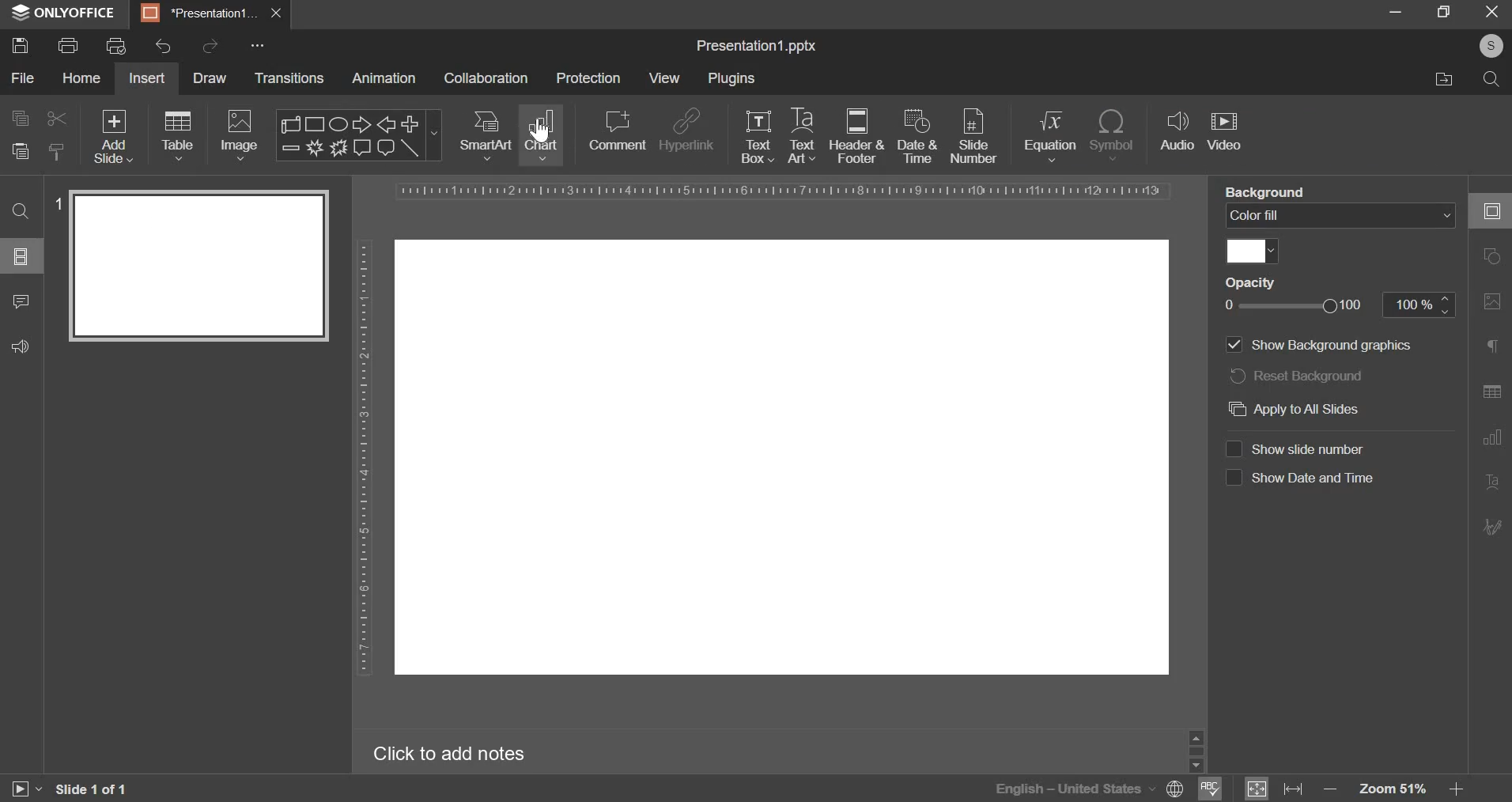 The width and height of the screenshot is (1512, 802). What do you see at coordinates (1391, 787) in the screenshot?
I see `zoom level` at bounding box center [1391, 787].